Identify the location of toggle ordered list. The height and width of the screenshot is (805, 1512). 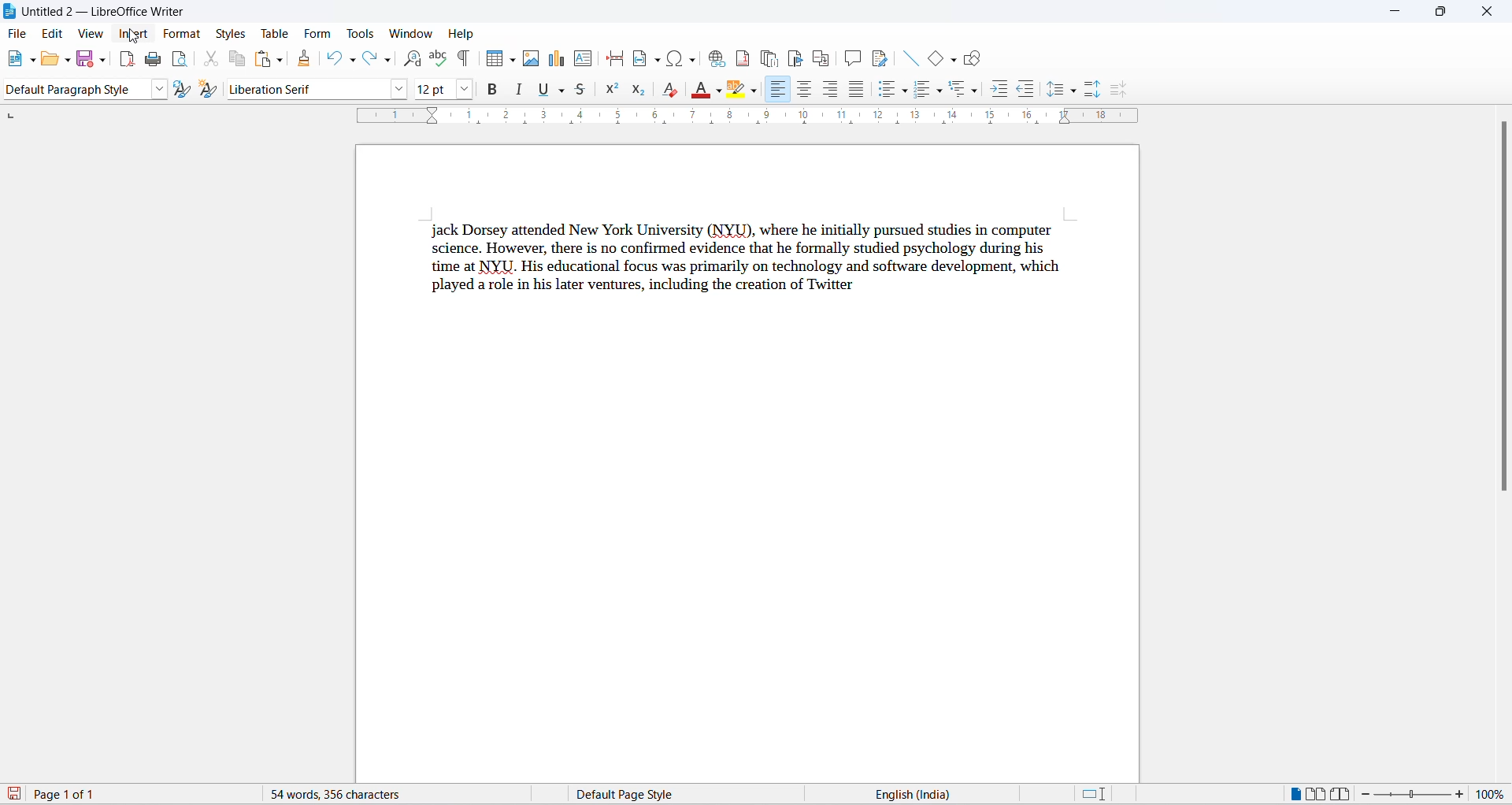
(923, 93).